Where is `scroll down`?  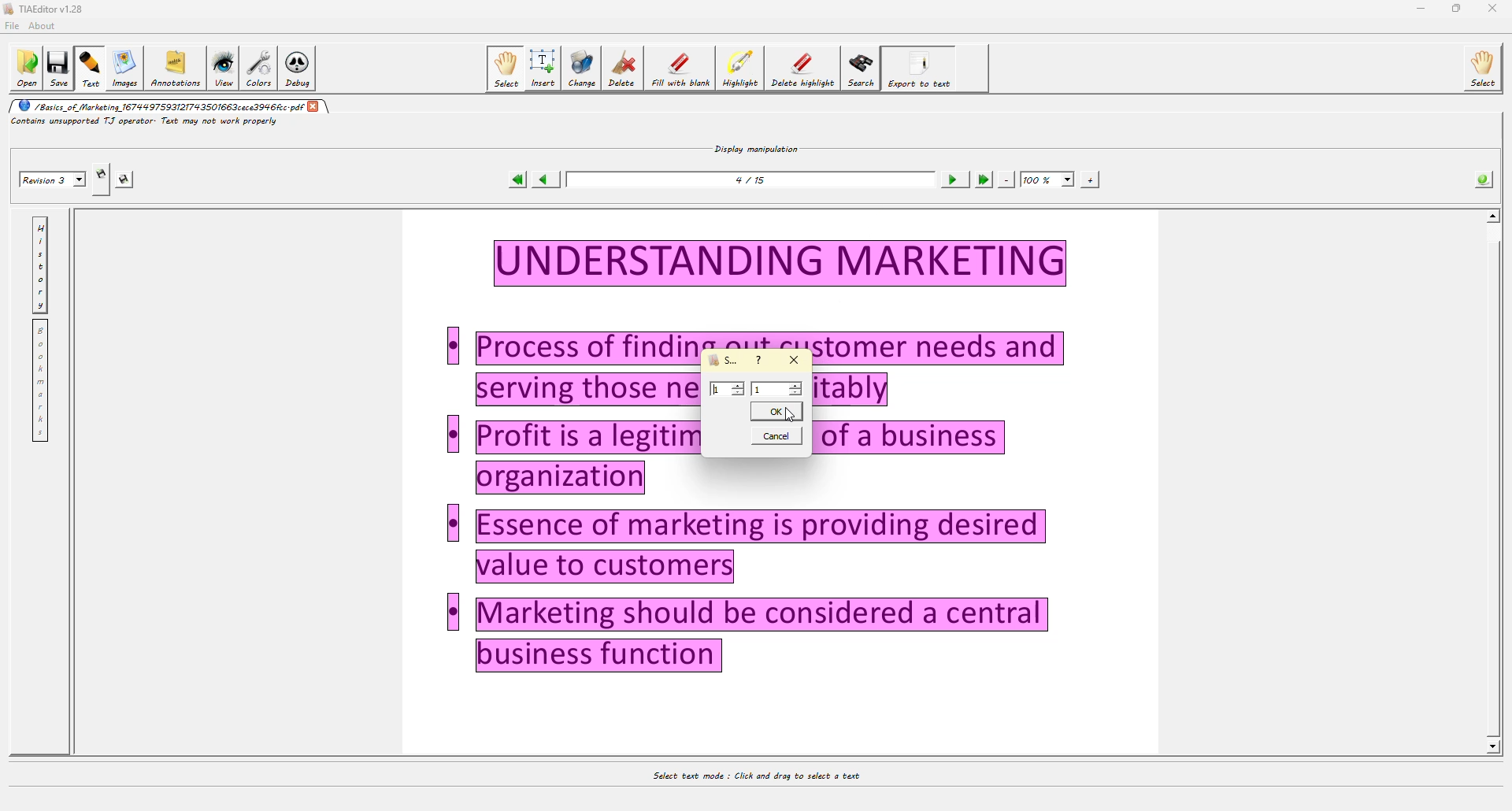
scroll down is located at coordinates (1493, 742).